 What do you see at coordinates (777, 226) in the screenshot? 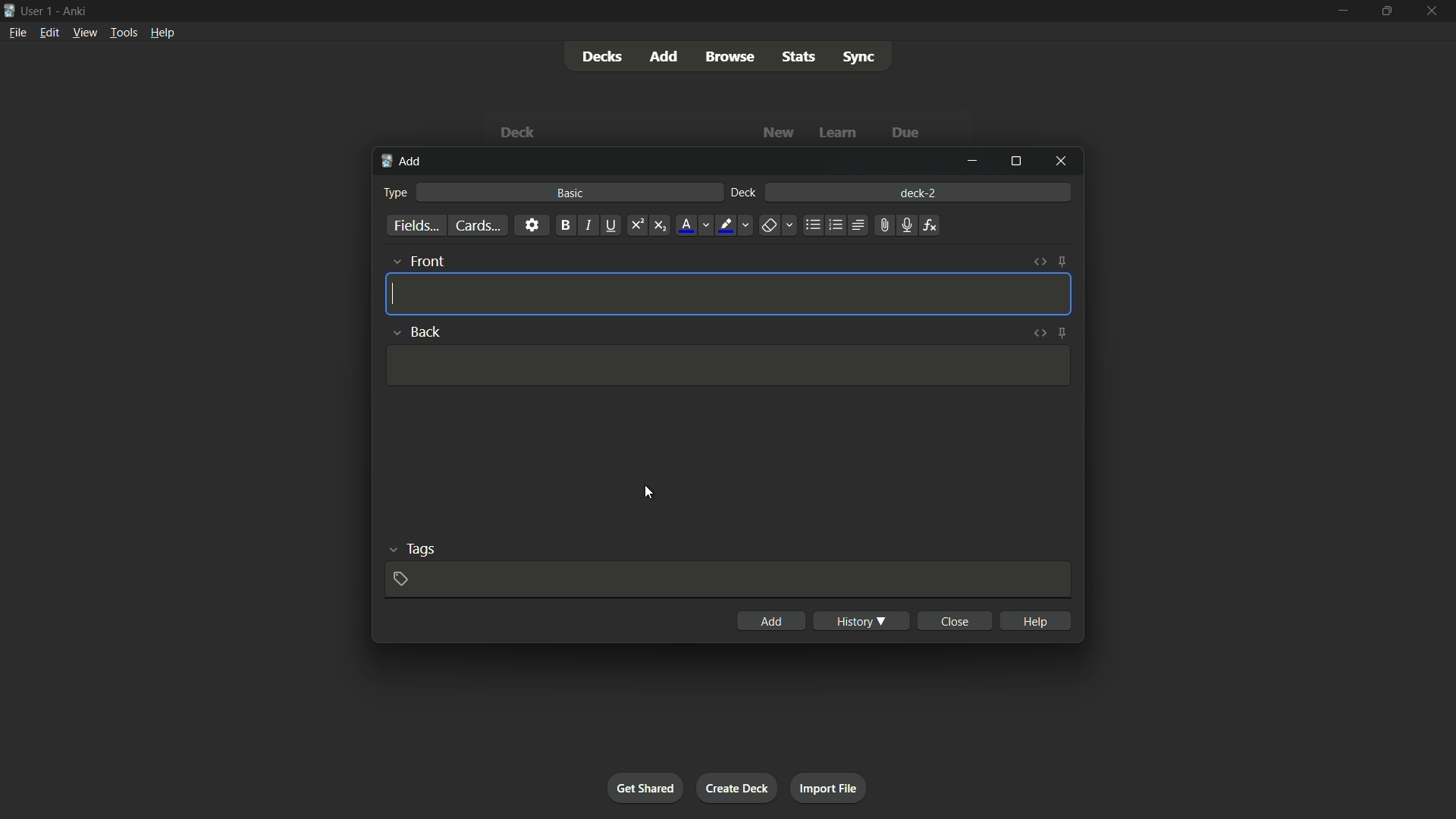
I see `remove formatting` at bounding box center [777, 226].